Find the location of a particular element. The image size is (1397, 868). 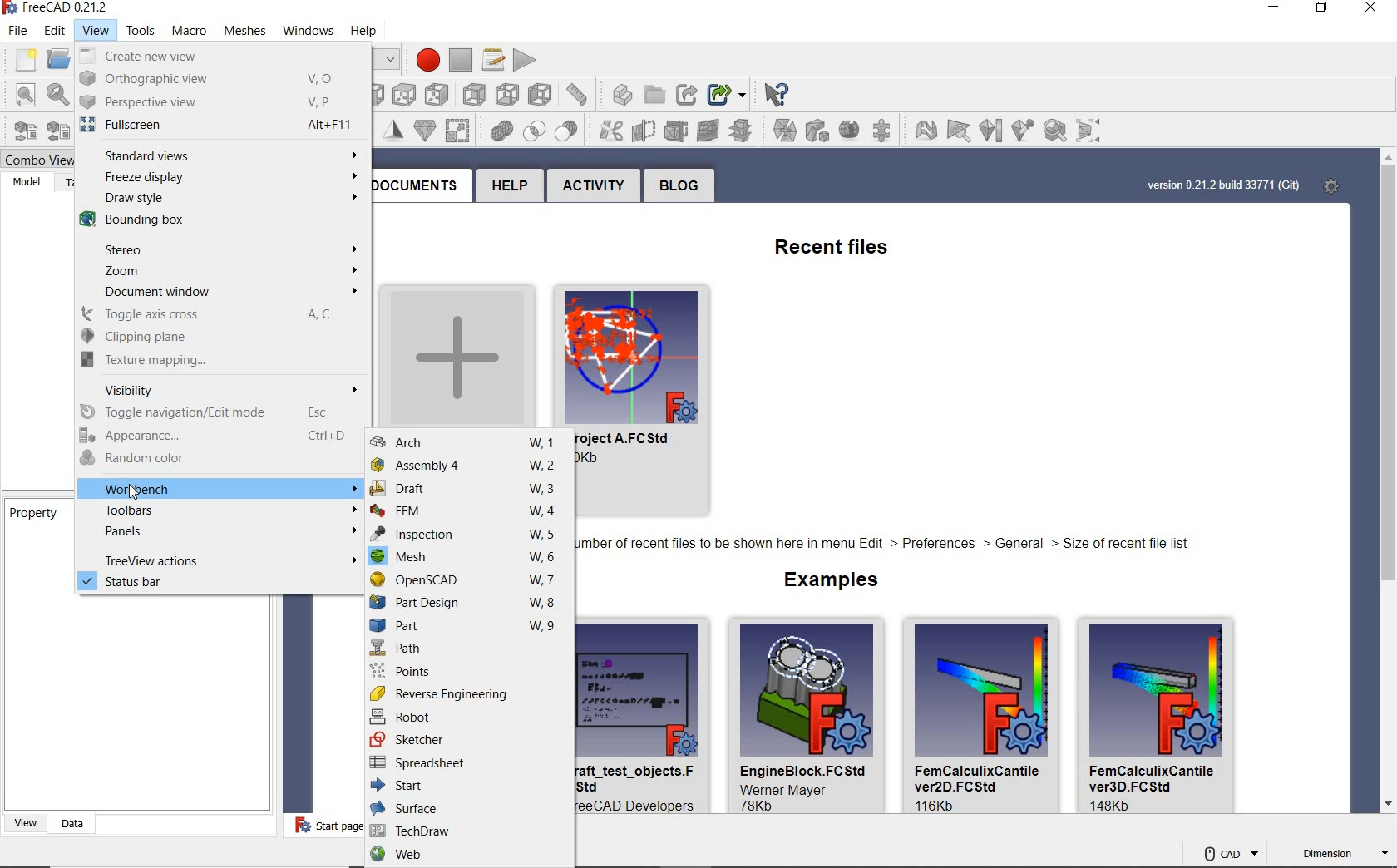

fit selection is located at coordinates (56, 94).